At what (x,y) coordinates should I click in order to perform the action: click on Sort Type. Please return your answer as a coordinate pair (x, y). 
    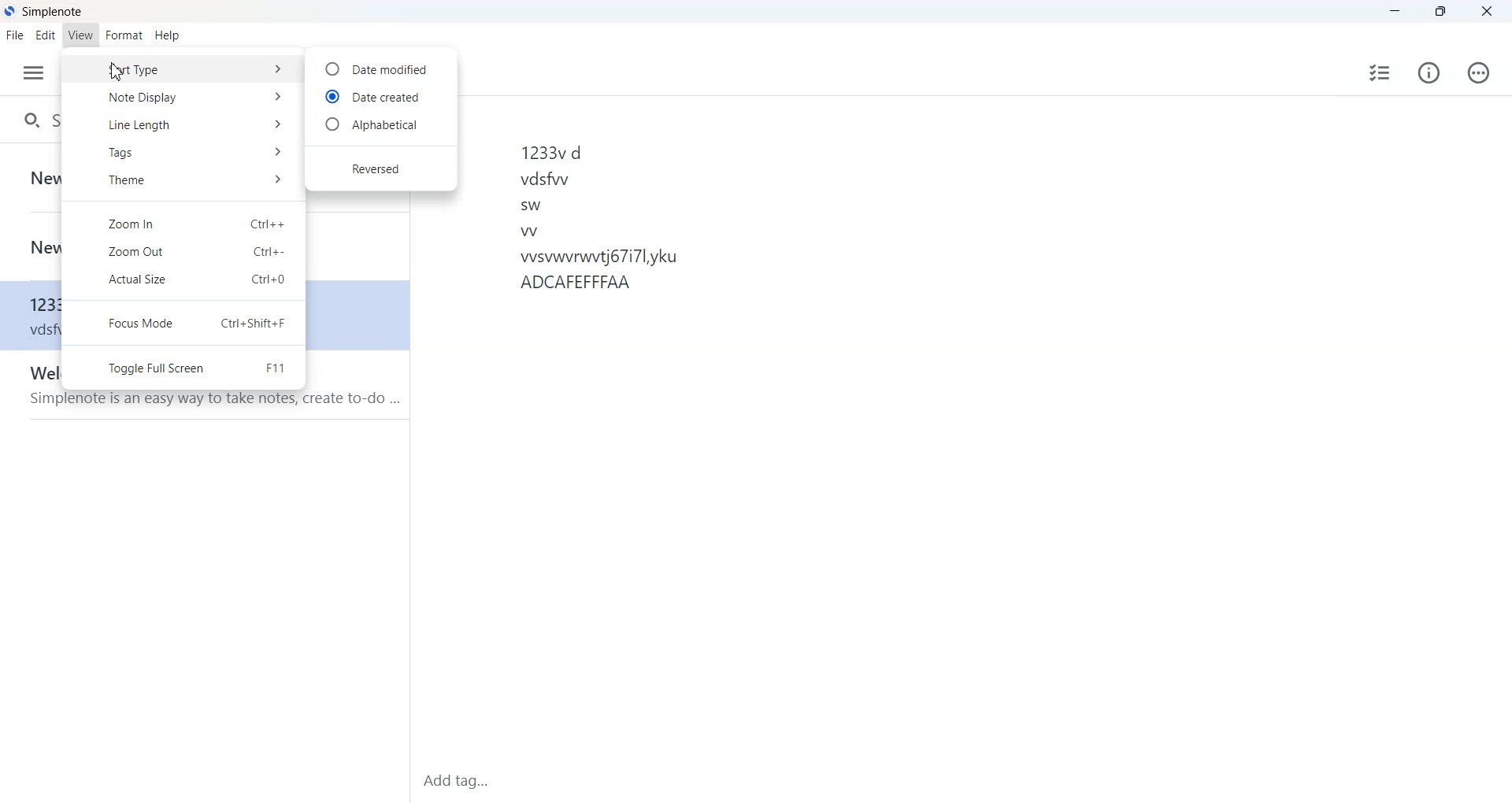
    Looking at the image, I should click on (183, 71).